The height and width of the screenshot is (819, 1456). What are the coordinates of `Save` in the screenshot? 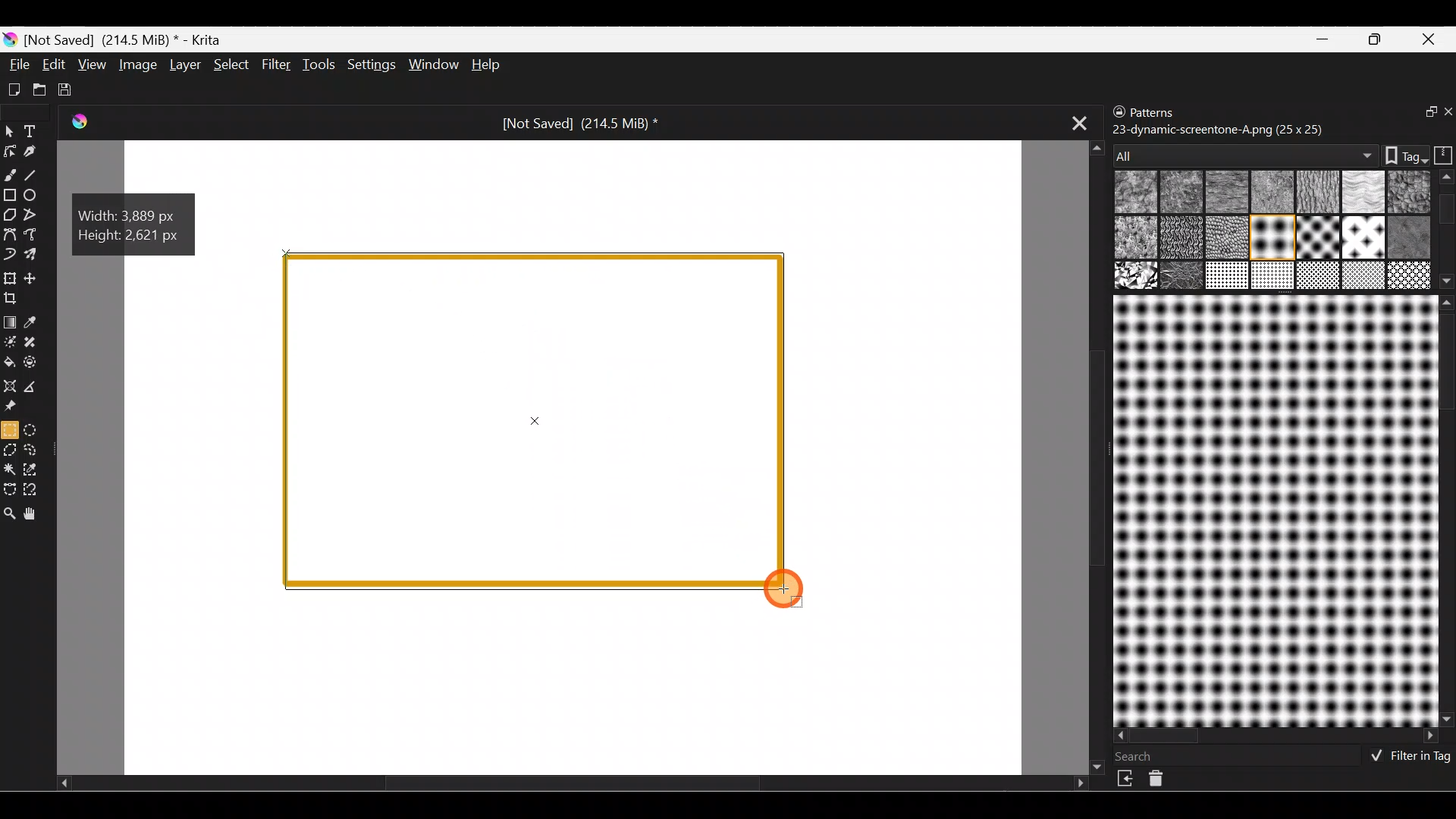 It's located at (67, 87).